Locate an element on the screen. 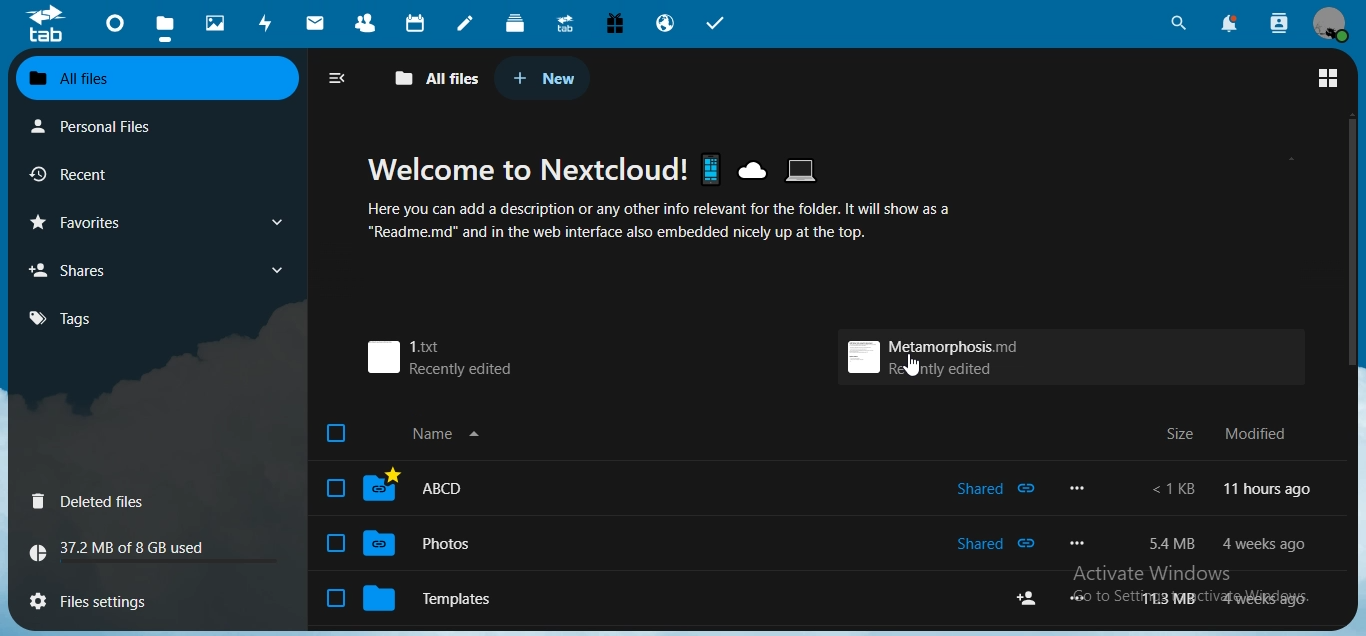  text is located at coordinates (1235, 433).